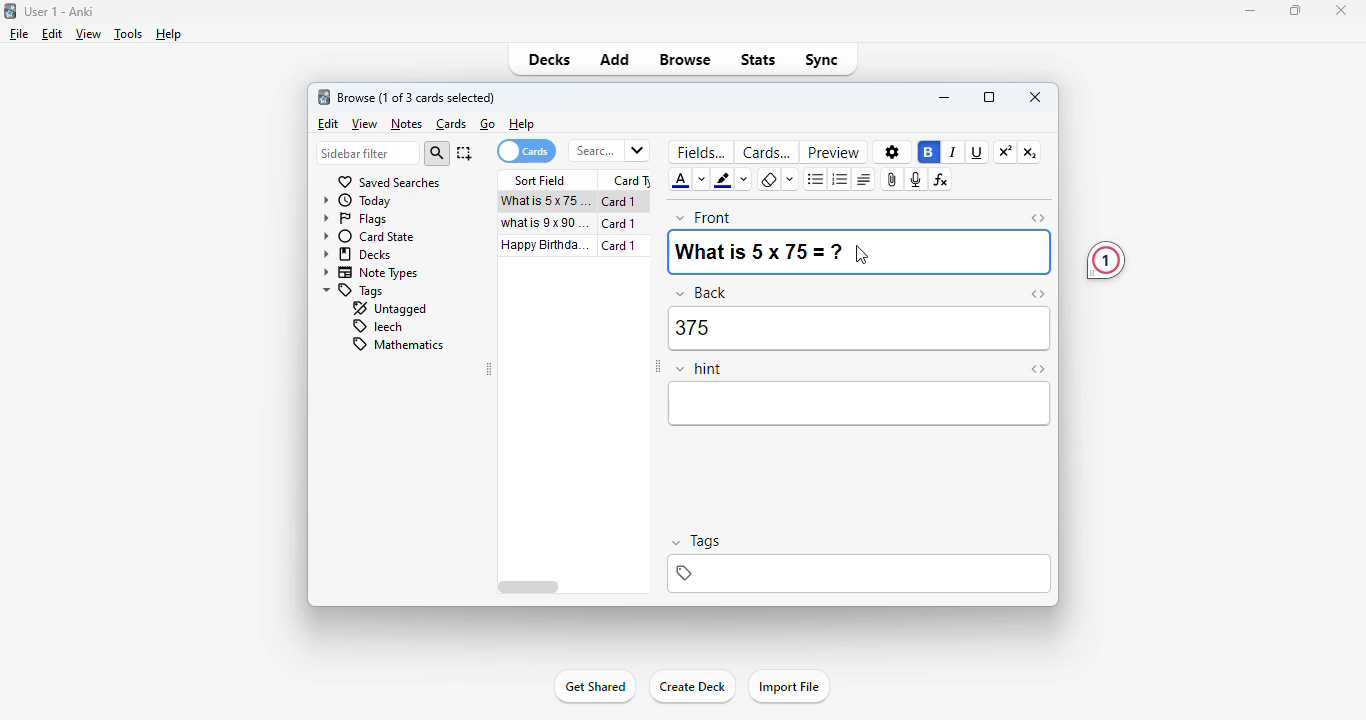 This screenshot has width=1366, height=720. What do you see at coordinates (377, 327) in the screenshot?
I see `leech` at bounding box center [377, 327].